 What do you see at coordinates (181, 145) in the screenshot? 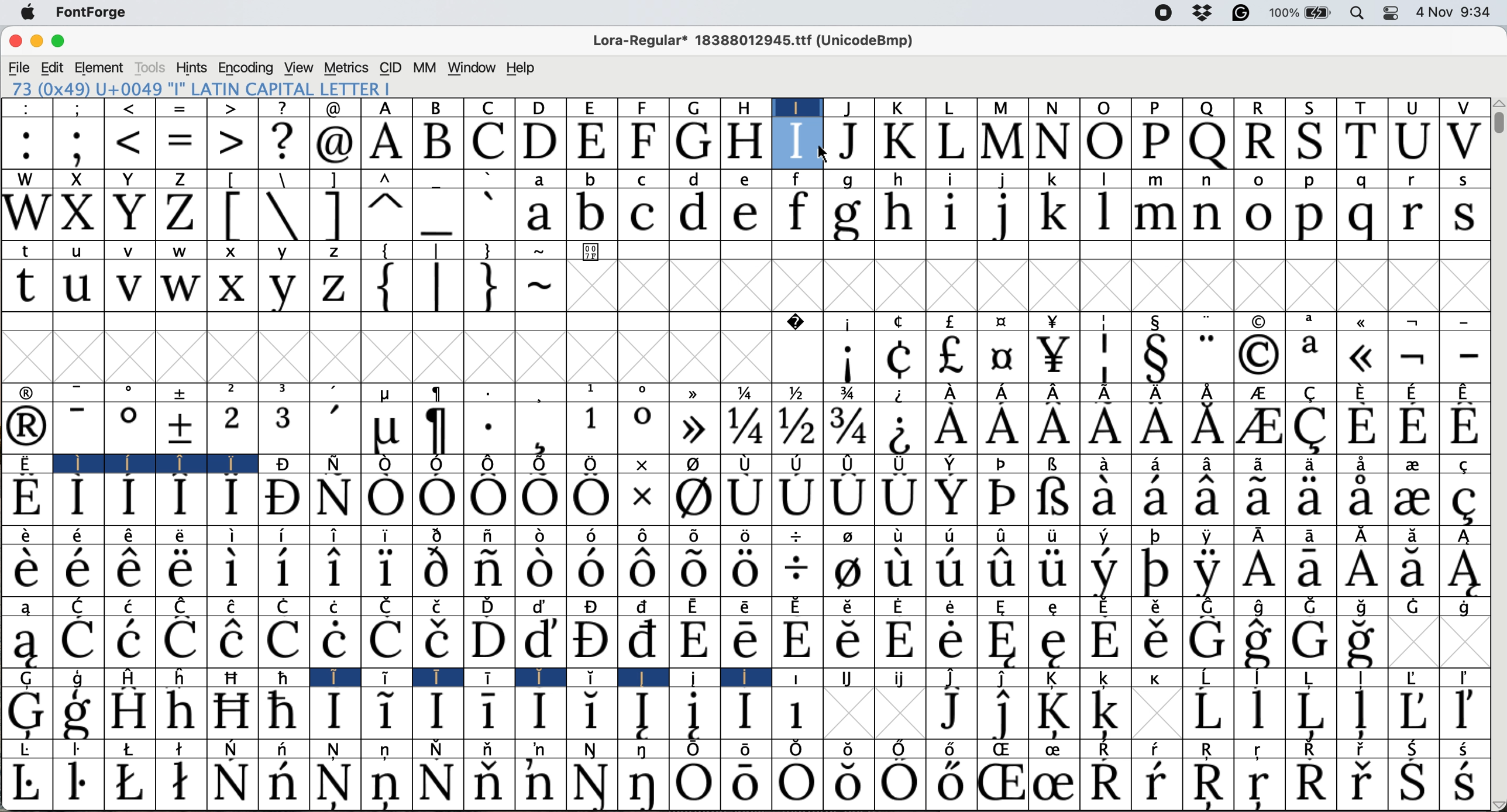
I see `=` at bounding box center [181, 145].